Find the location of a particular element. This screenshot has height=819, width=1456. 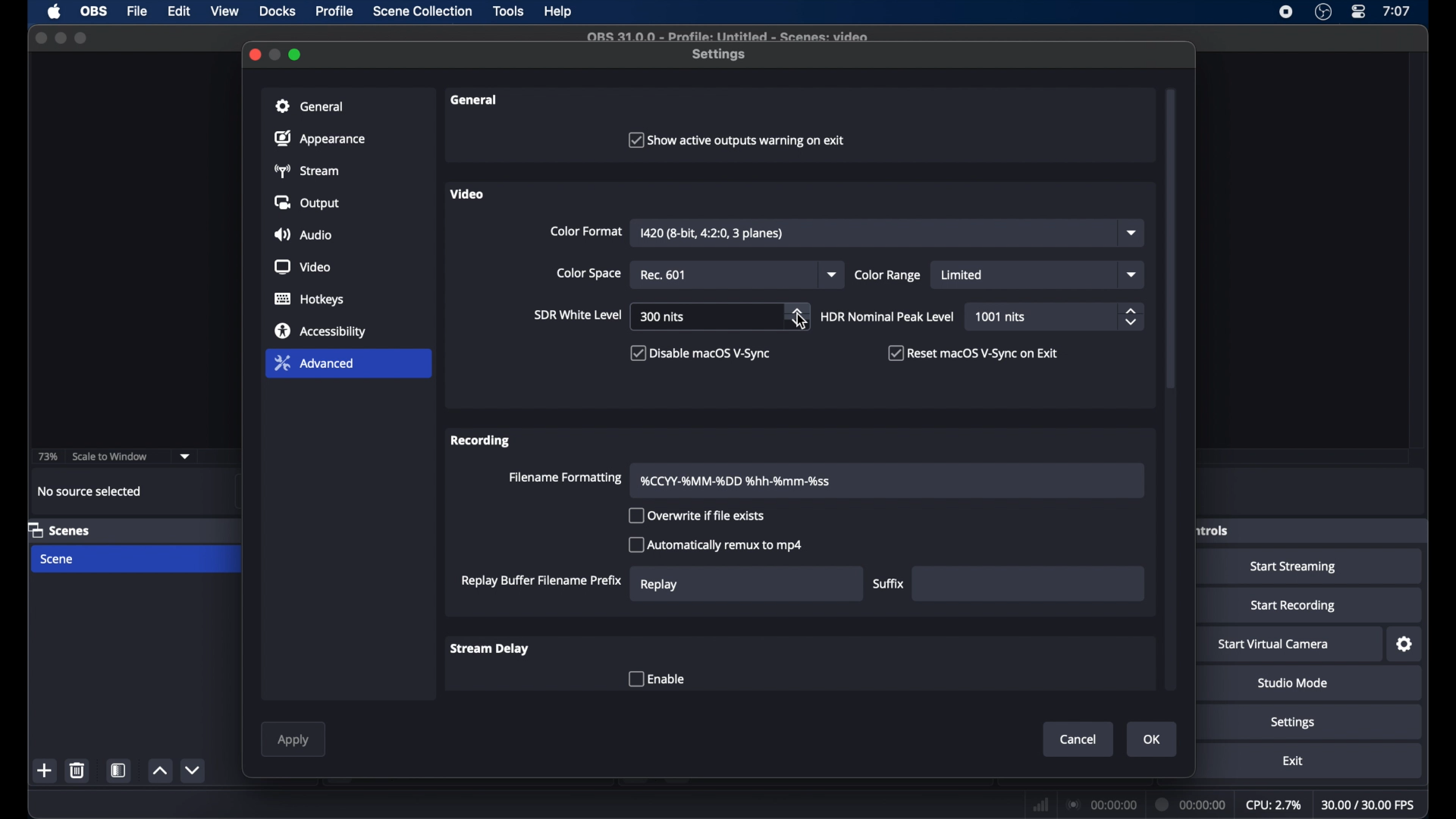

color format is located at coordinates (586, 231).